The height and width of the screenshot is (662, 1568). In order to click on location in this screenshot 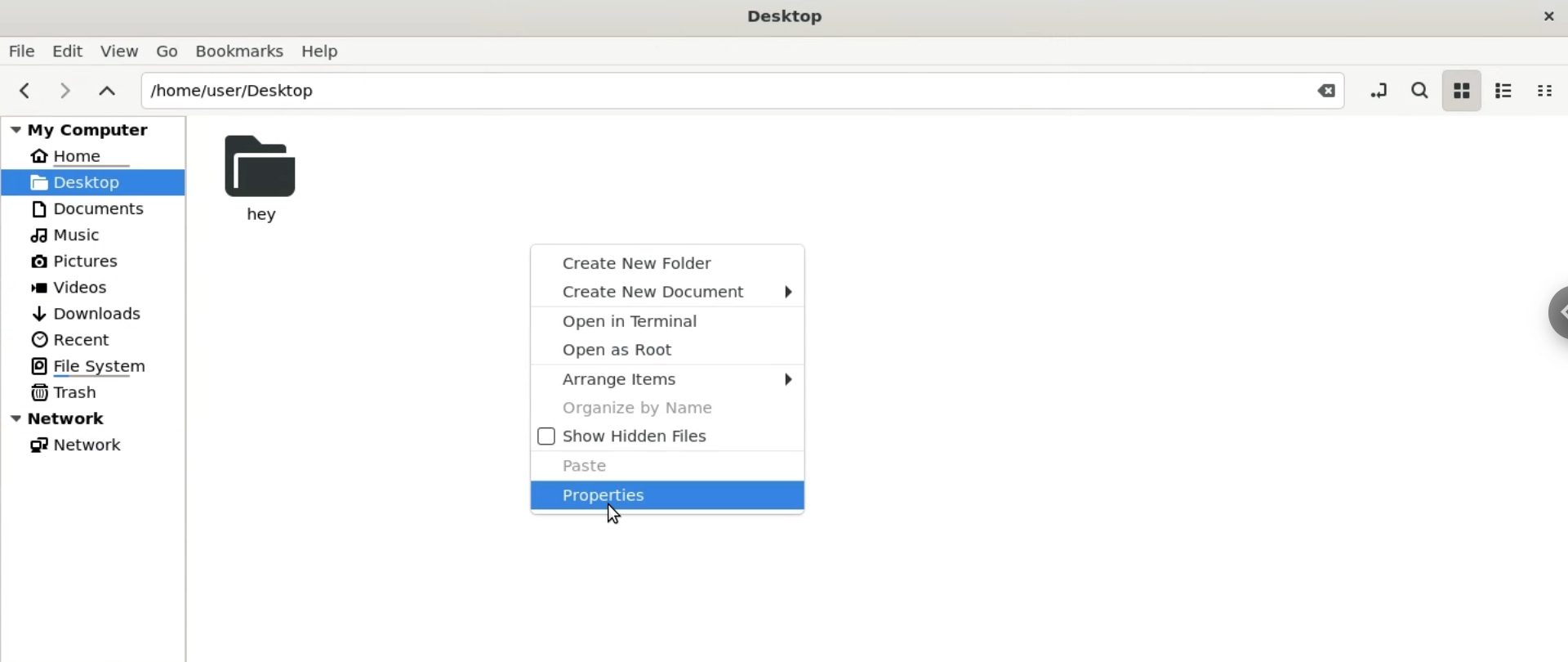, I will do `click(742, 88)`.